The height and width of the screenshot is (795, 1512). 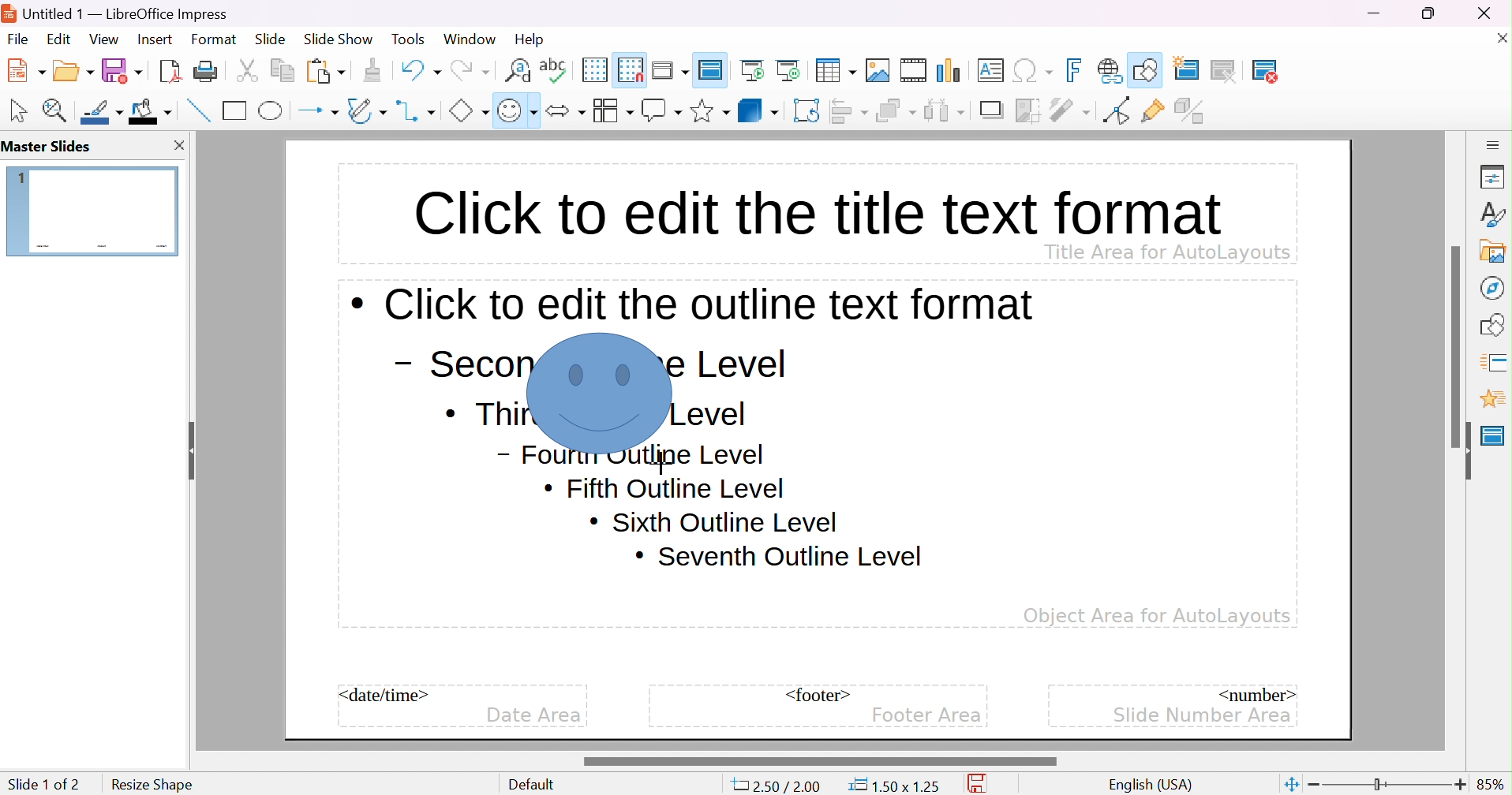 What do you see at coordinates (1196, 68) in the screenshot?
I see `new slide` at bounding box center [1196, 68].